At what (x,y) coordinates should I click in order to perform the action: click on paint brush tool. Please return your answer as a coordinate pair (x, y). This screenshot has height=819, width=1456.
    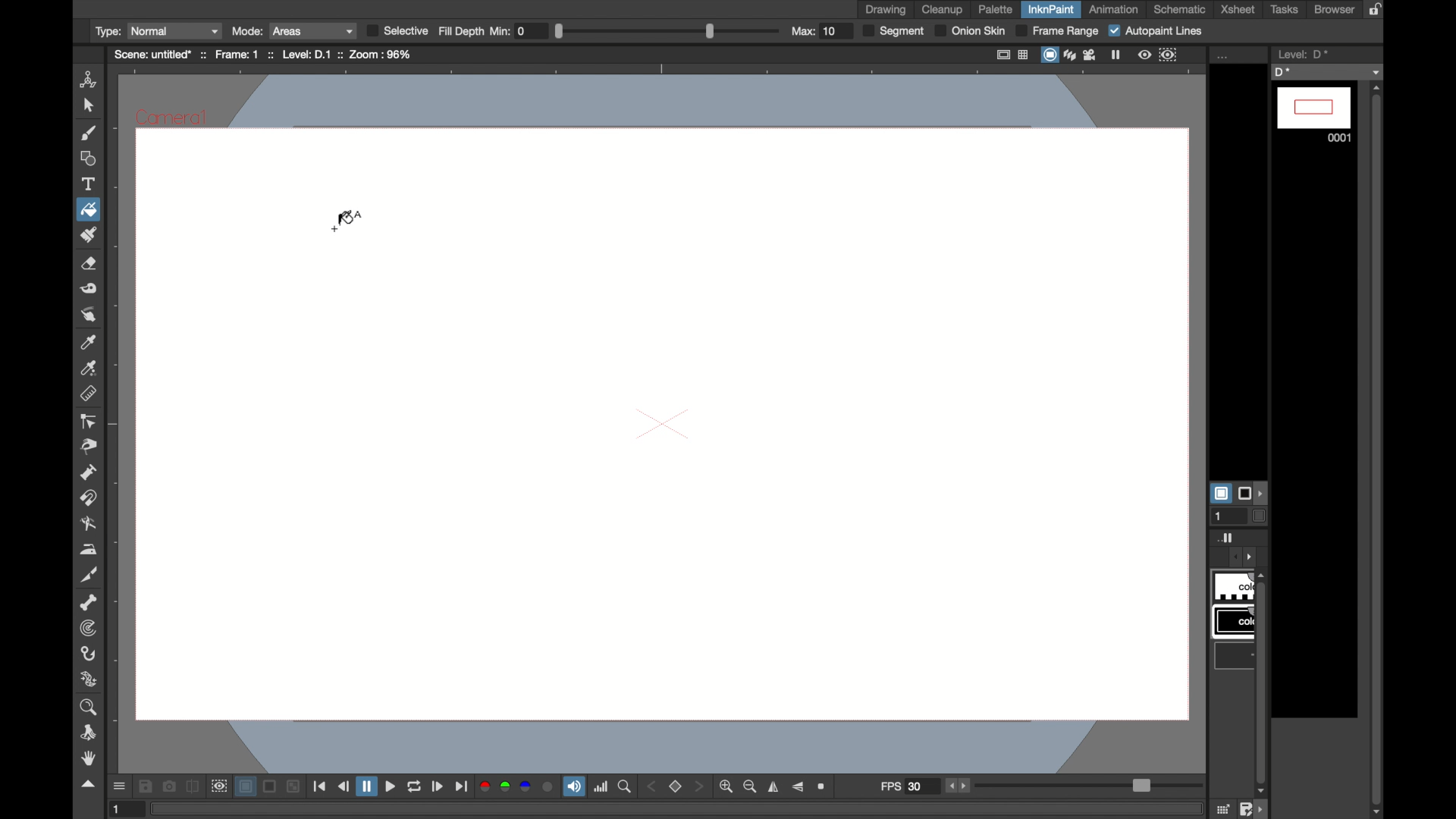
    Looking at the image, I should click on (86, 133).